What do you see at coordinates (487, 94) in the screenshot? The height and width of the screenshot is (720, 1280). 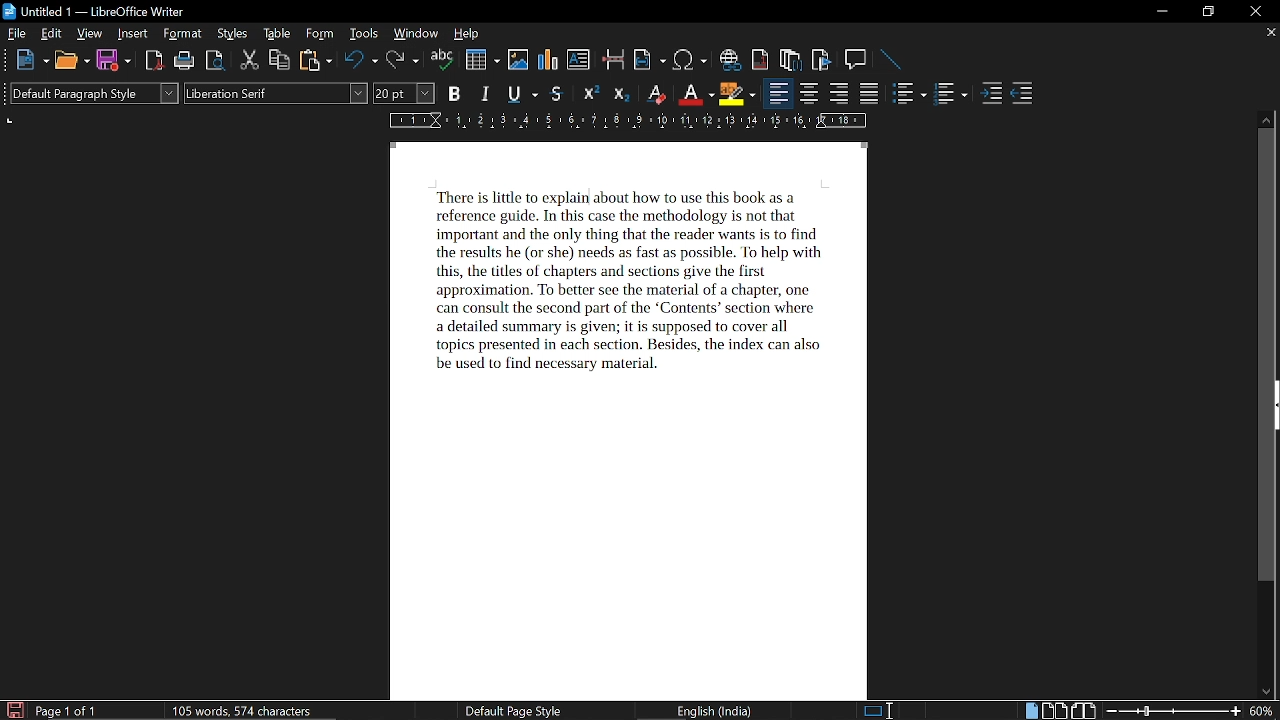 I see `italic` at bounding box center [487, 94].